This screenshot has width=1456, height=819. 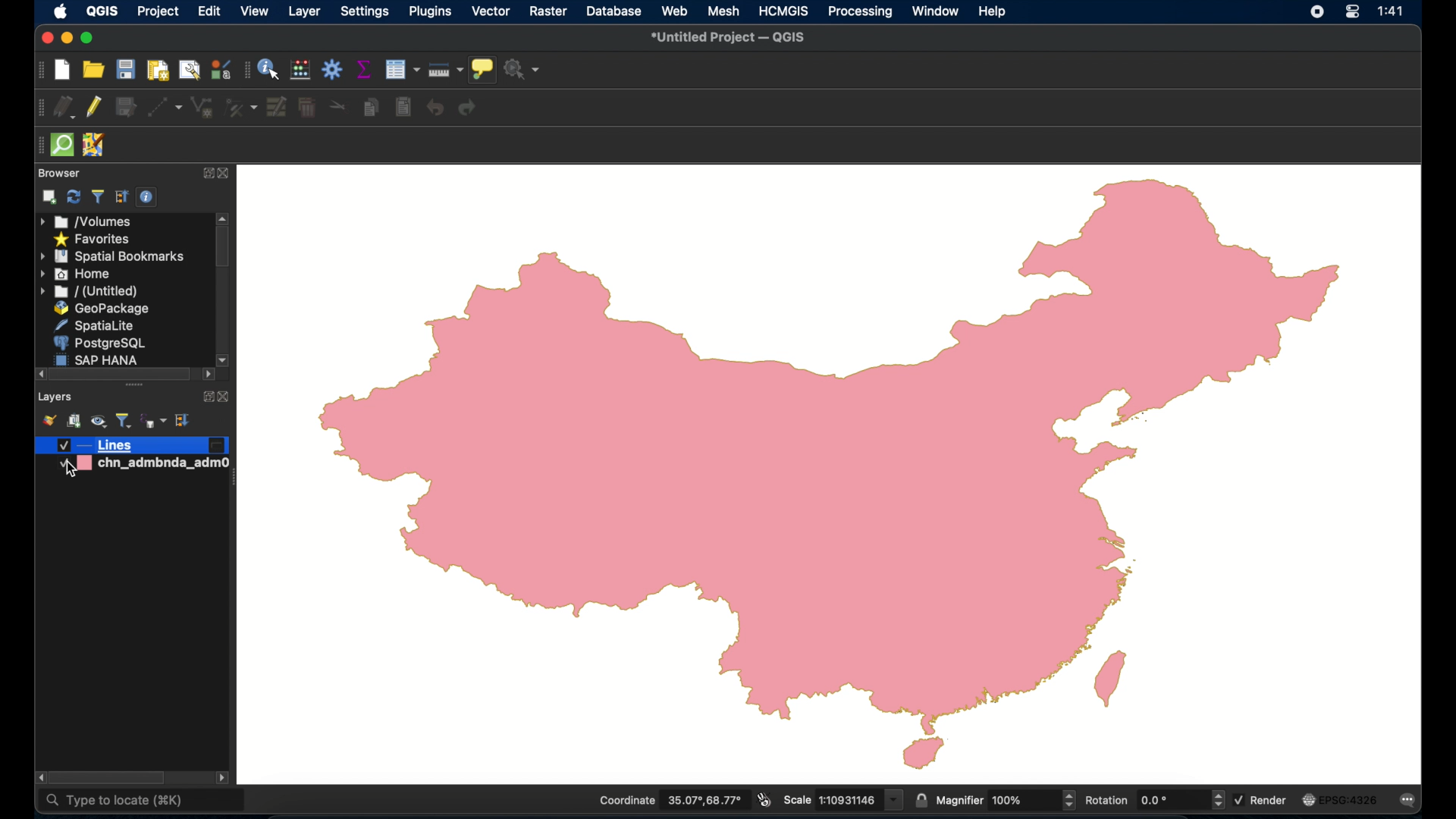 I want to click on modify attributes, so click(x=401, y=69).